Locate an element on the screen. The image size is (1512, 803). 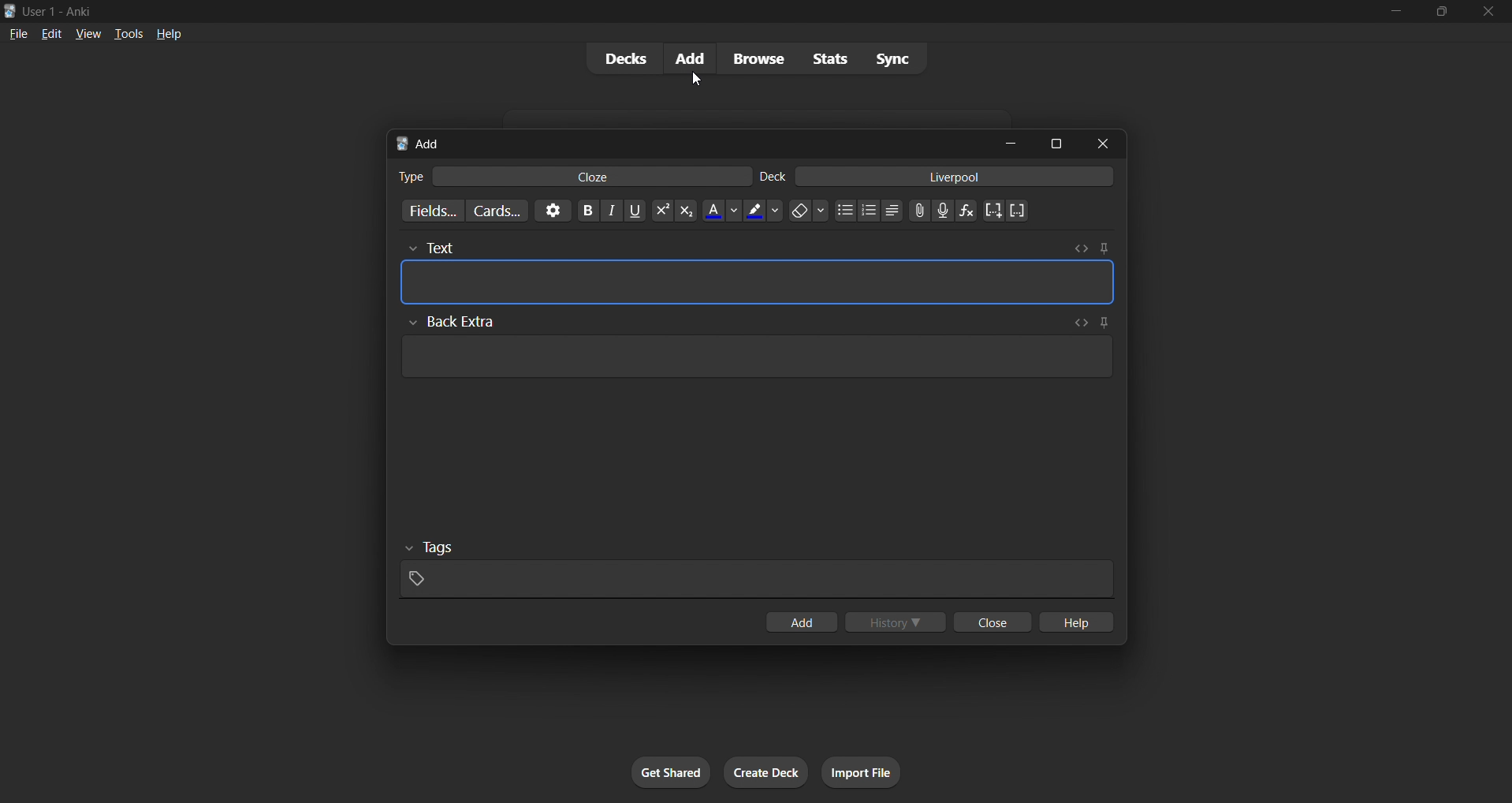
superscript is located at coordinates (659, 212).